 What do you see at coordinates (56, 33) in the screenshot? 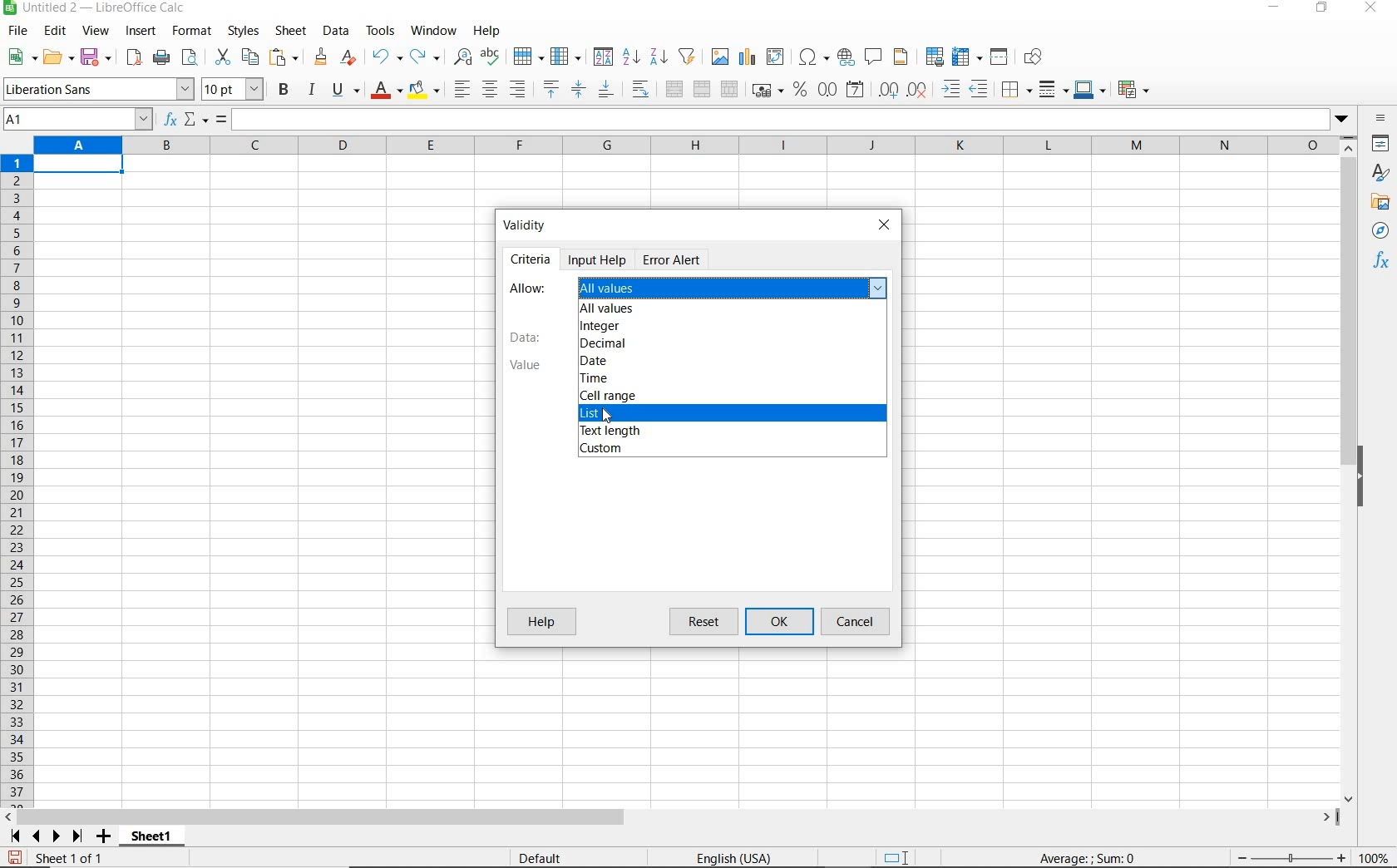
I see `edit` at bounding box center [56, 33].